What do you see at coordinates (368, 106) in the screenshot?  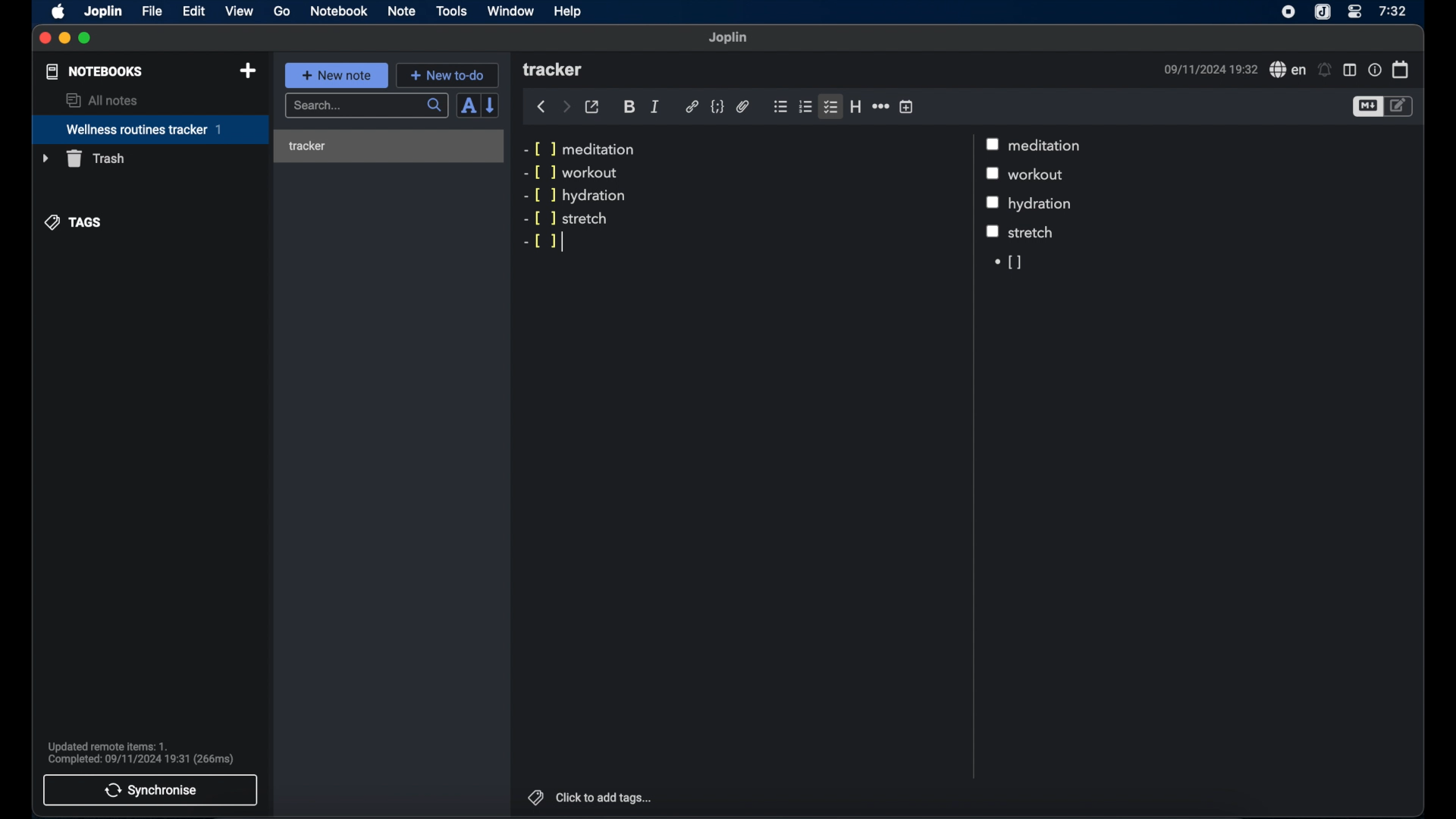 I see `search...` at bounding box center [368, 106].